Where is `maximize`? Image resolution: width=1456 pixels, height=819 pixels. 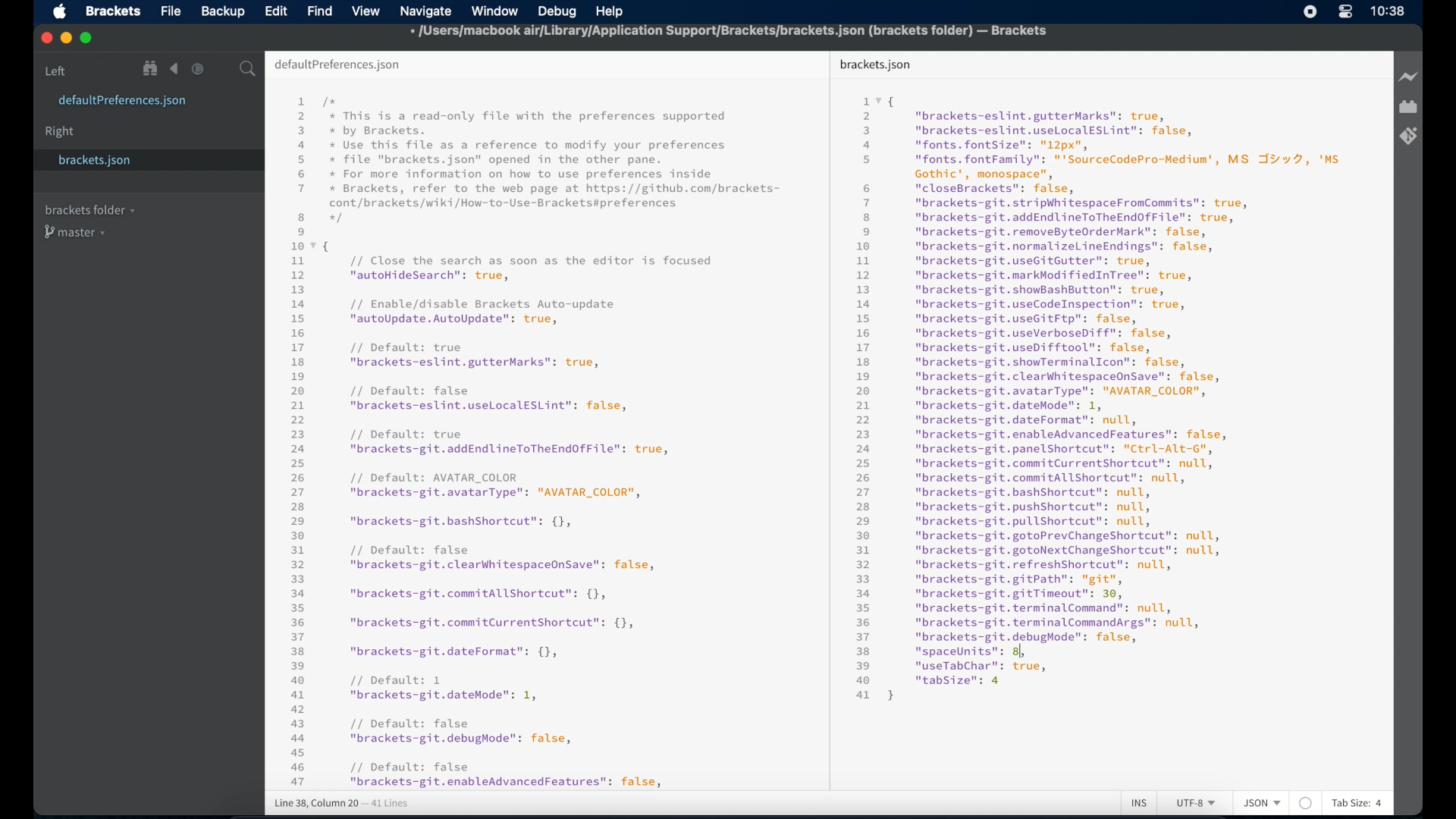
maximize is located at coordinates (87, 39).